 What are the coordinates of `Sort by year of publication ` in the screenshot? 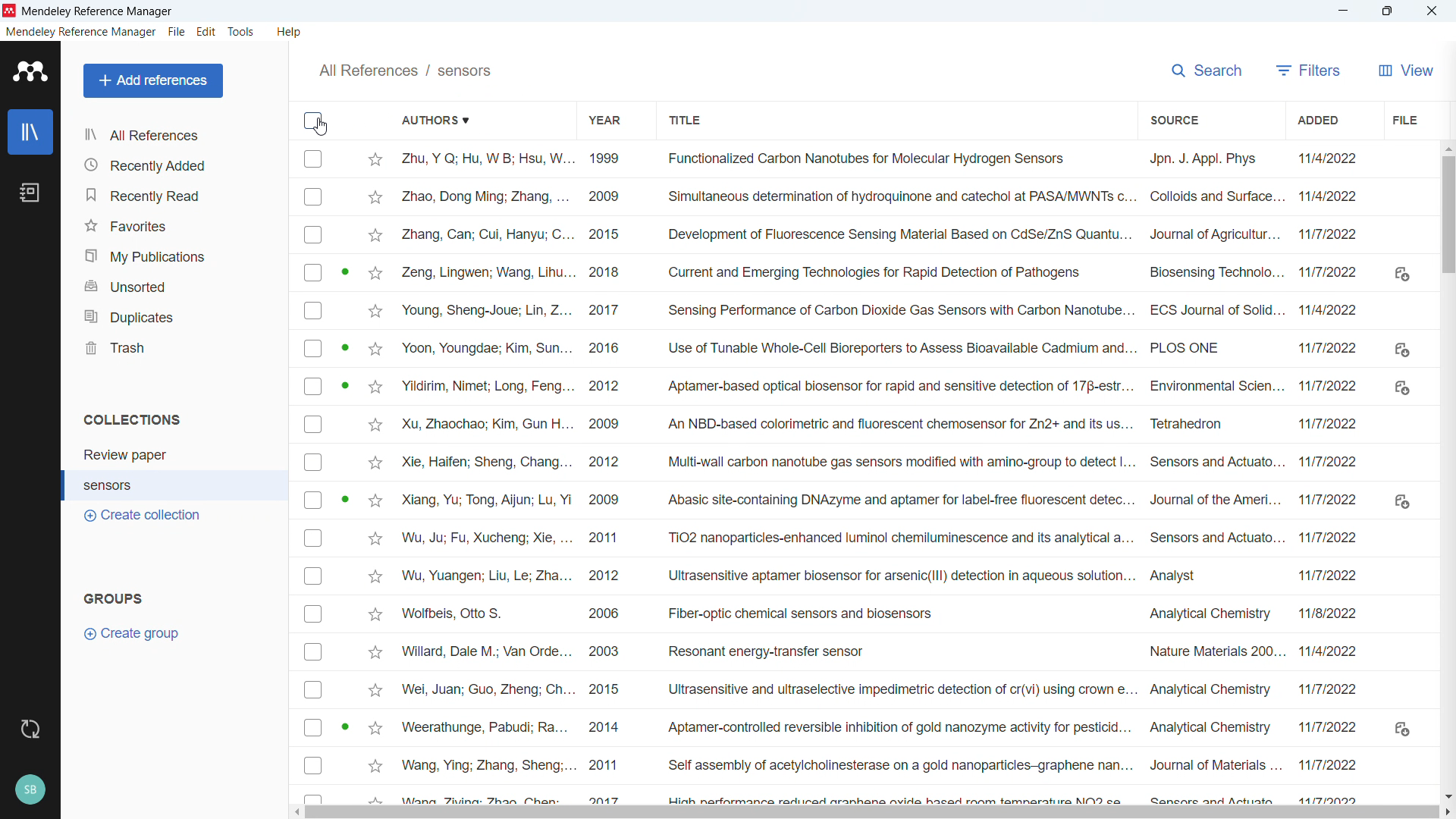 It's located at (604, 121).